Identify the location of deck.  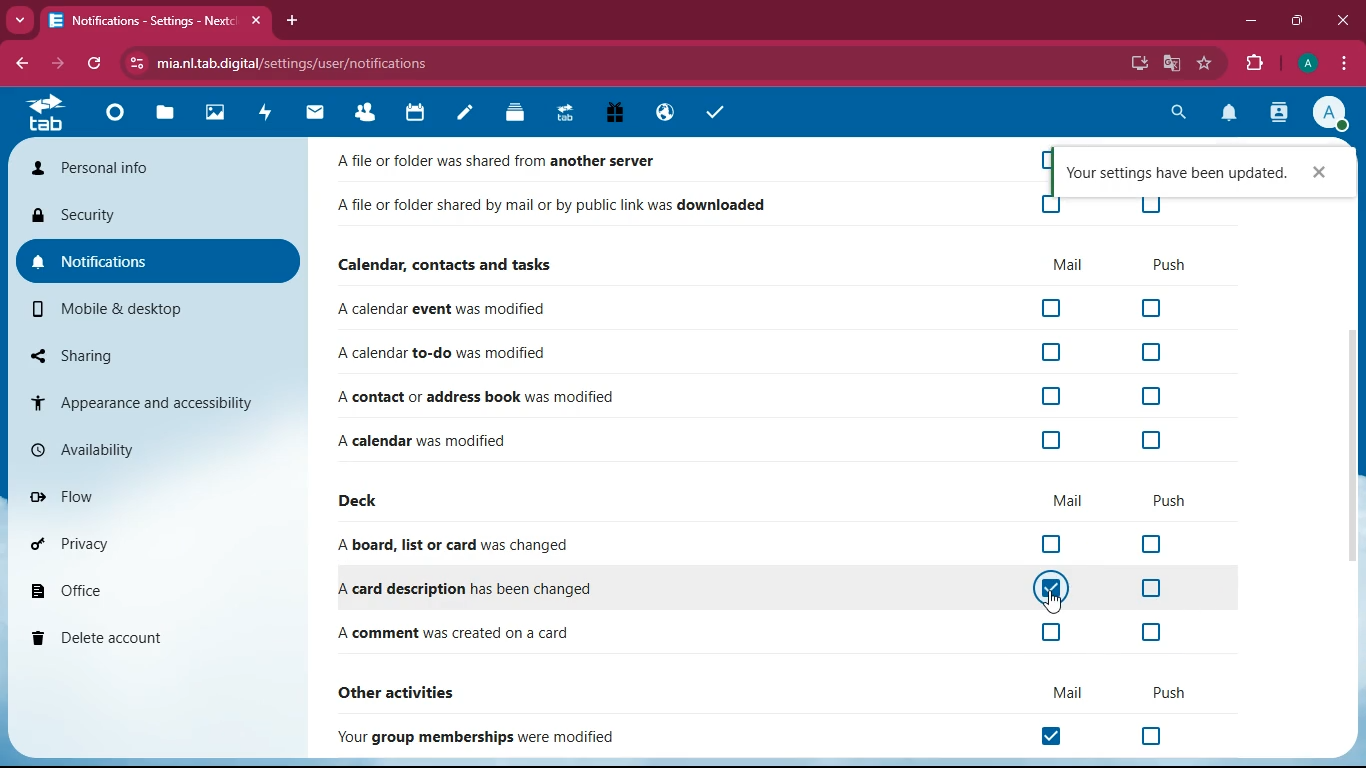
(363, 502).